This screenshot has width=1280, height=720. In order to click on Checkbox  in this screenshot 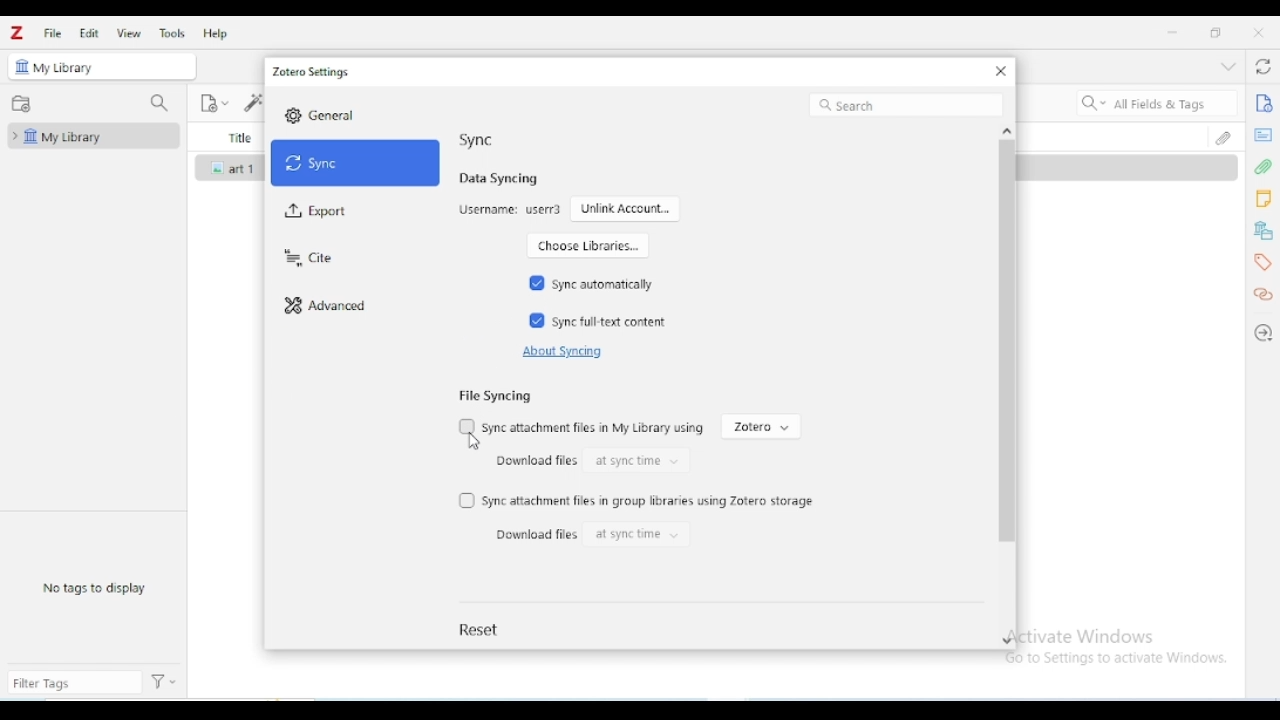, I will do `click(467, 425)`.